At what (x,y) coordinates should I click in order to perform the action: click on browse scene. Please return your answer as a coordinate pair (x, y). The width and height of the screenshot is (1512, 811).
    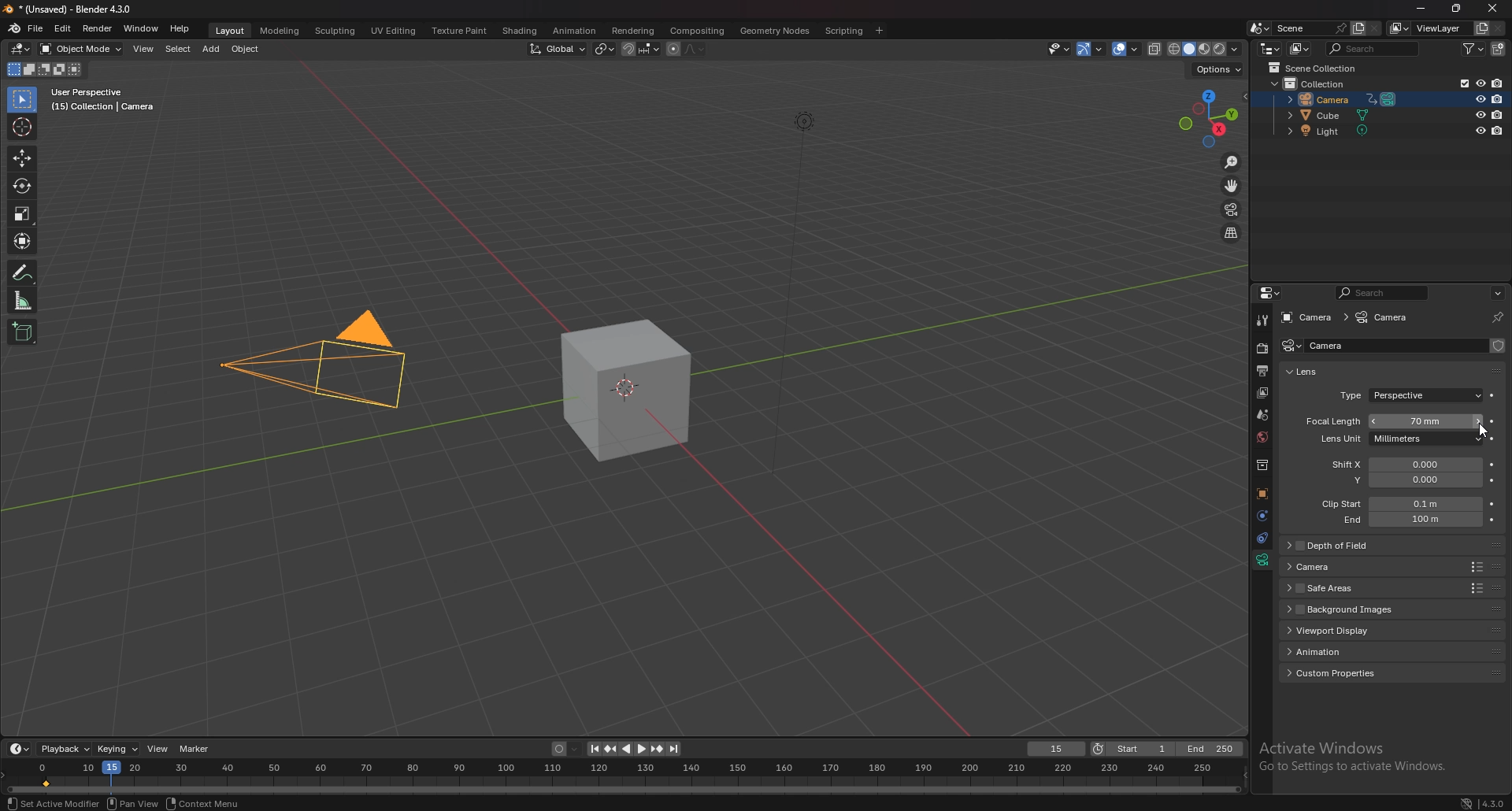
    Looking at the image, I should click on (1258, 28).